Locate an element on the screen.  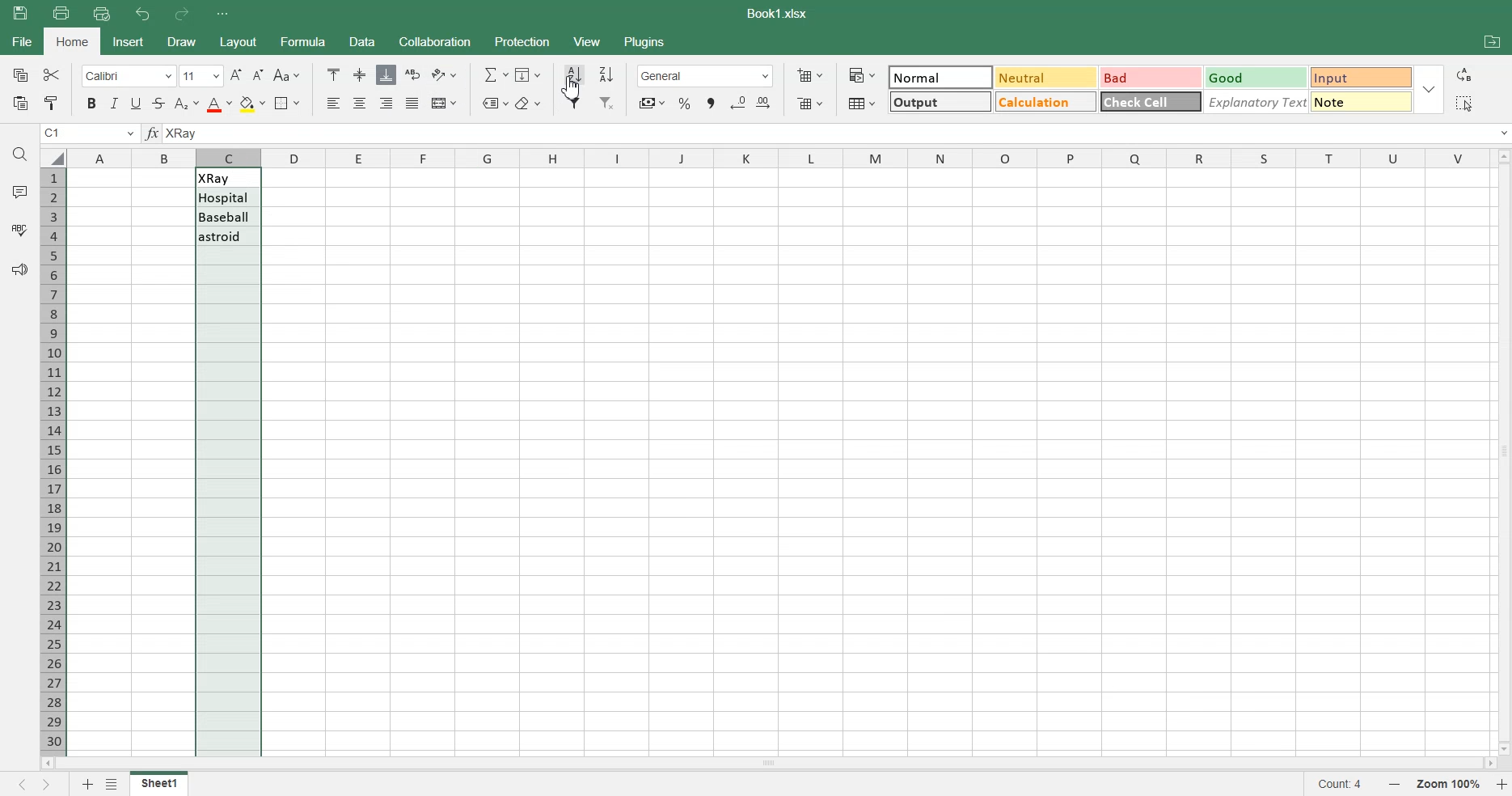
Paste is located at coordinates (19, 103).